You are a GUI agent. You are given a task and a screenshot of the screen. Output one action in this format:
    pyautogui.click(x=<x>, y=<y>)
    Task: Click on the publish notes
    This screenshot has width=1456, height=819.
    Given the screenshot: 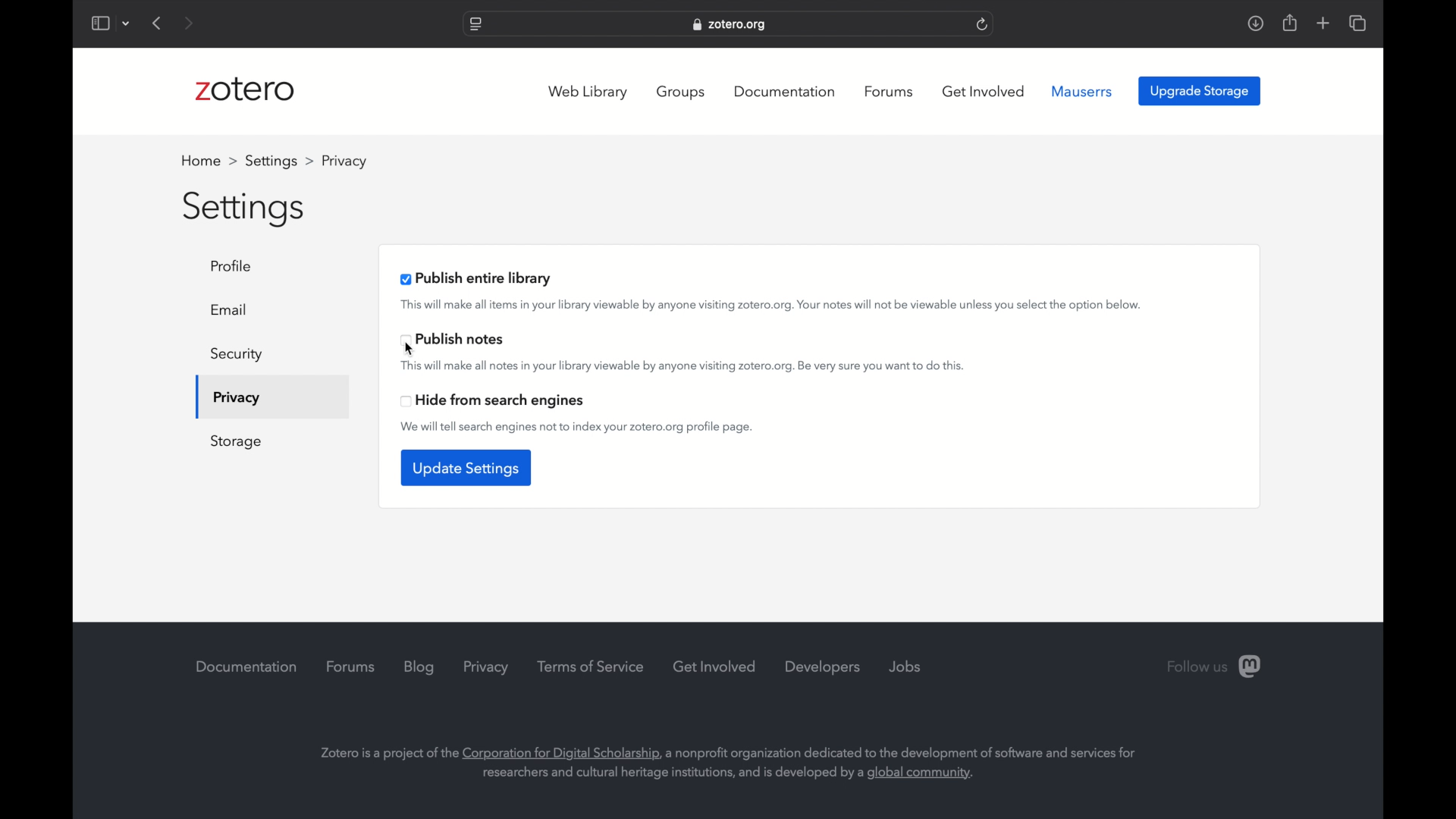 What is the action you would take?
    pyautogui.click(x=453, y=340)
    